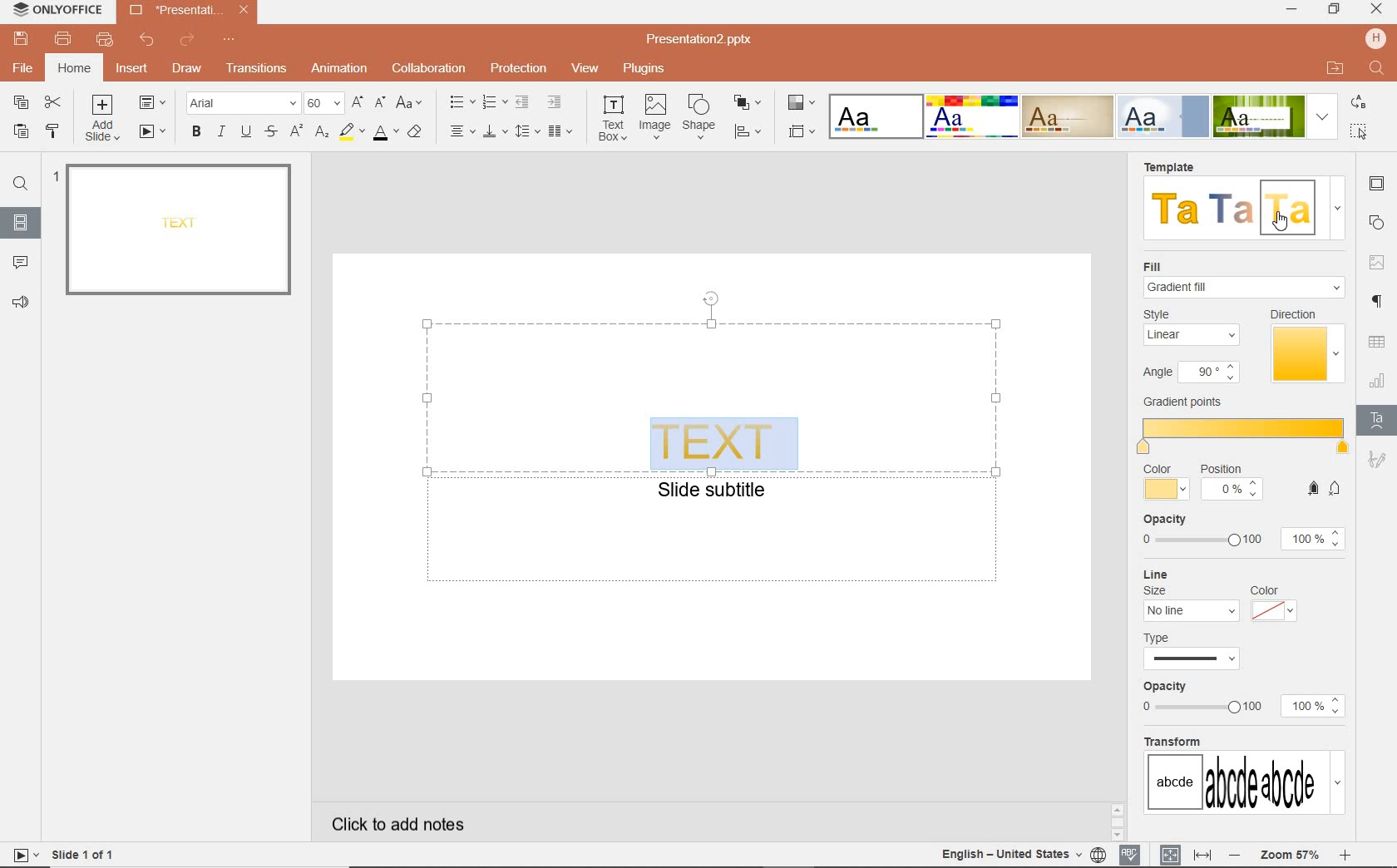 Image resolution: width=1397 pixels, height=868 pixels. I want to click on STRIKE THROUGH, so click(274, 131).